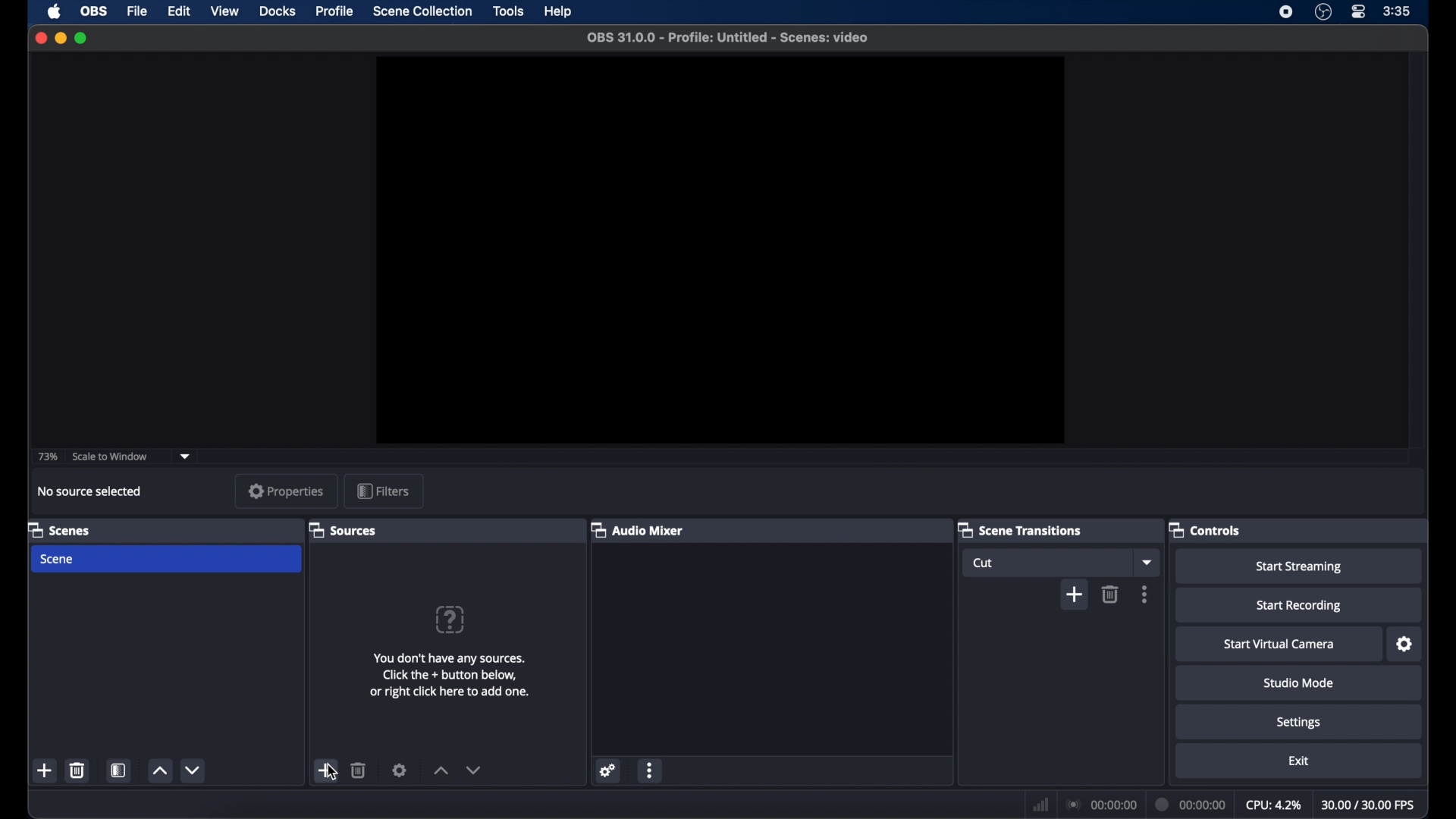 This screenshot has width=1456, height=819. I want to click on cpu, so click(1273, 803).